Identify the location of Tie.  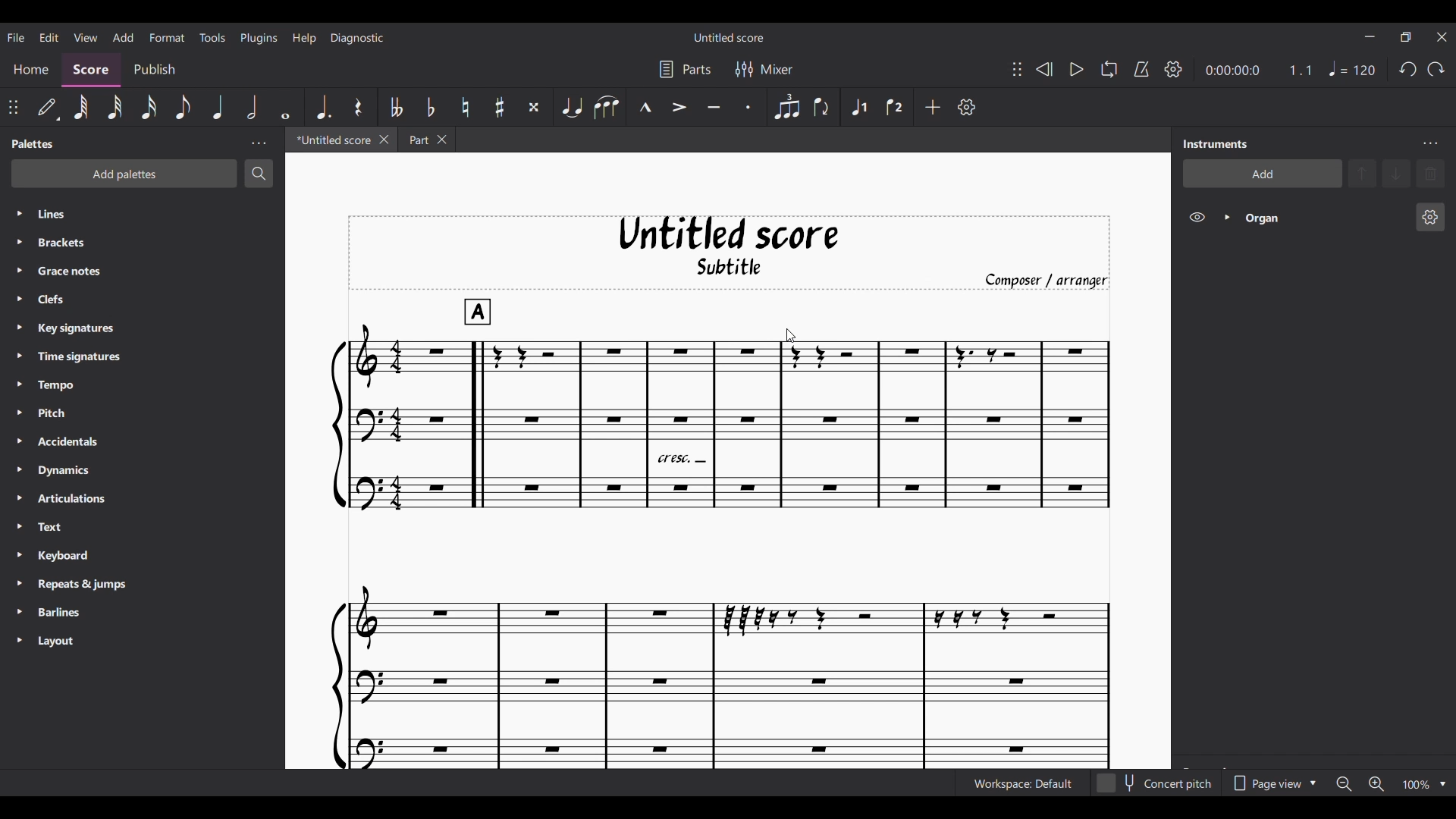
(572, 107).